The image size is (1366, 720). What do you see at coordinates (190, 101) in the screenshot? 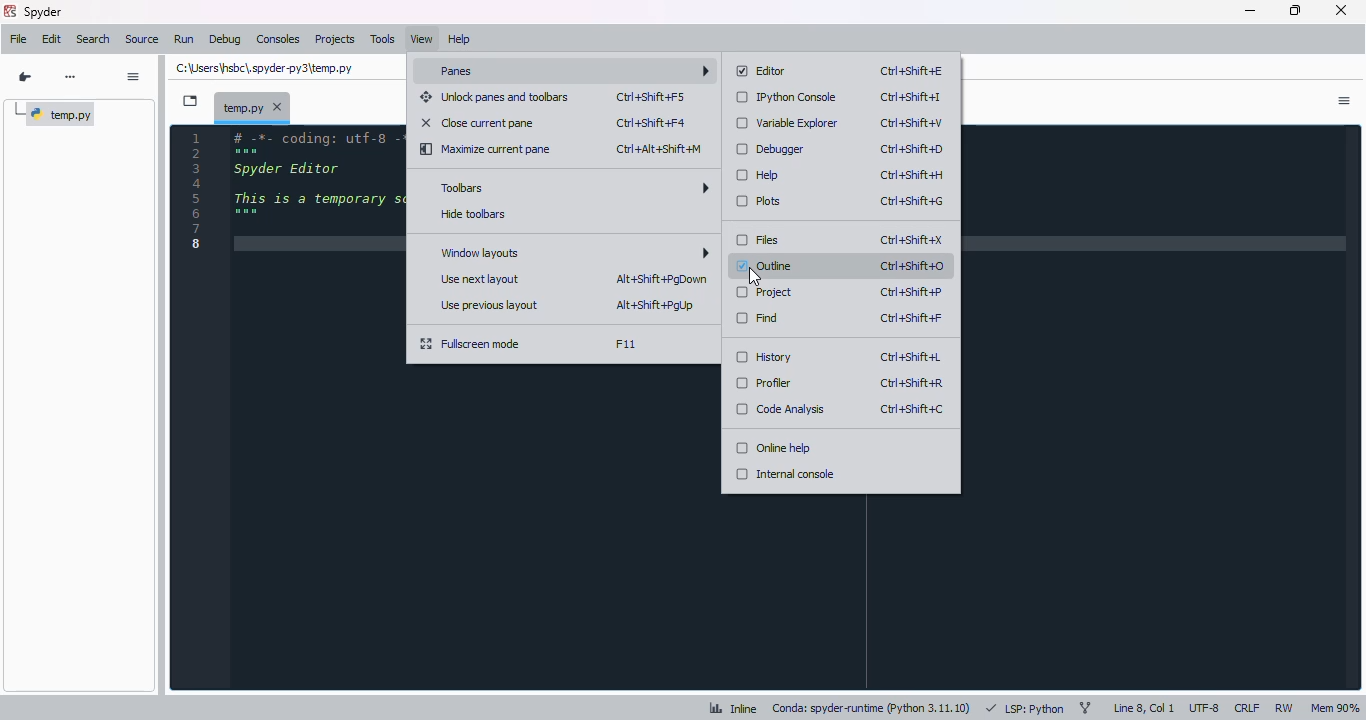
I see `browse tabs` at bounding box center [190, 101].